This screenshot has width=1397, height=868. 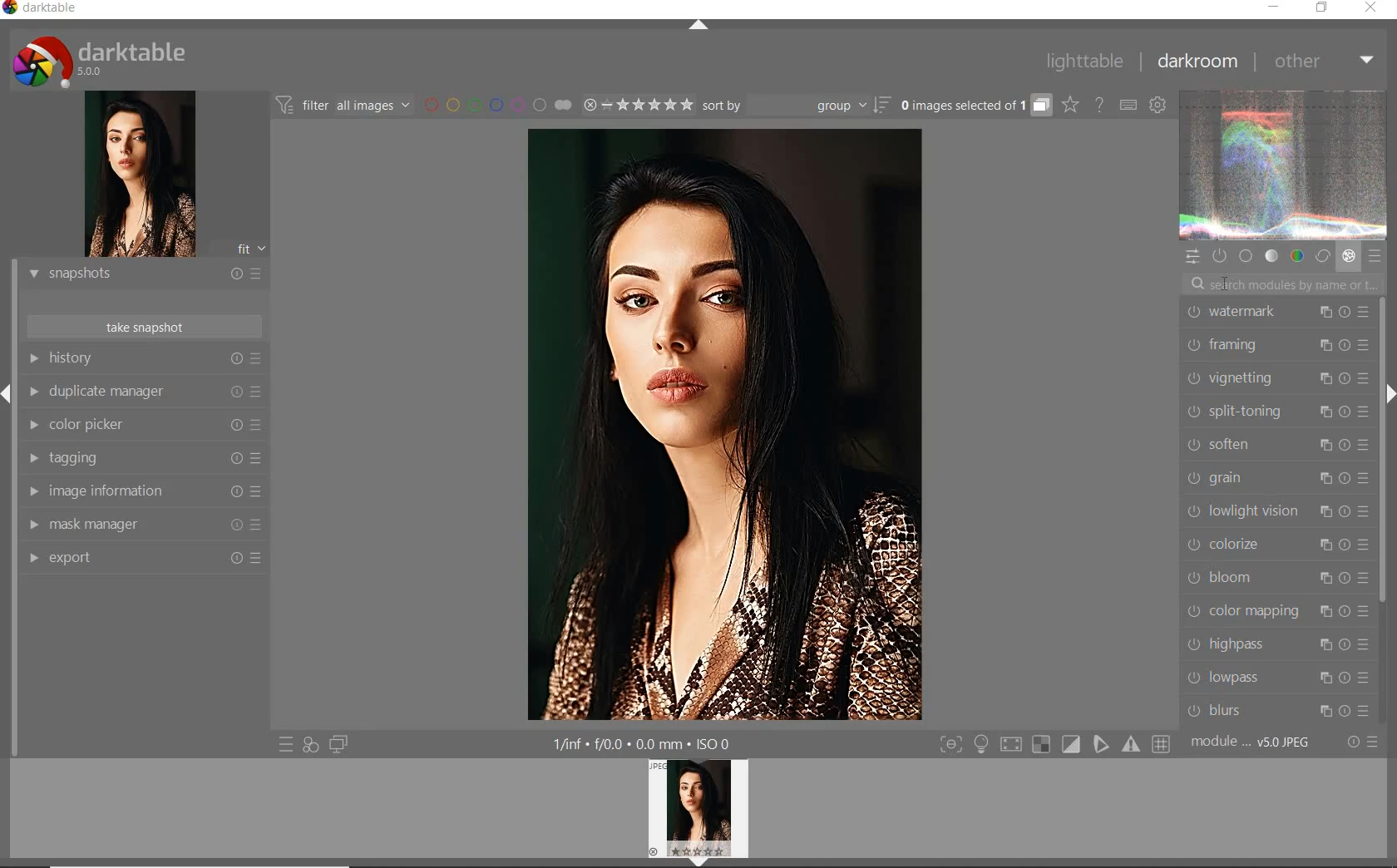 I want to click on presets, so click(x=1376, y=255).